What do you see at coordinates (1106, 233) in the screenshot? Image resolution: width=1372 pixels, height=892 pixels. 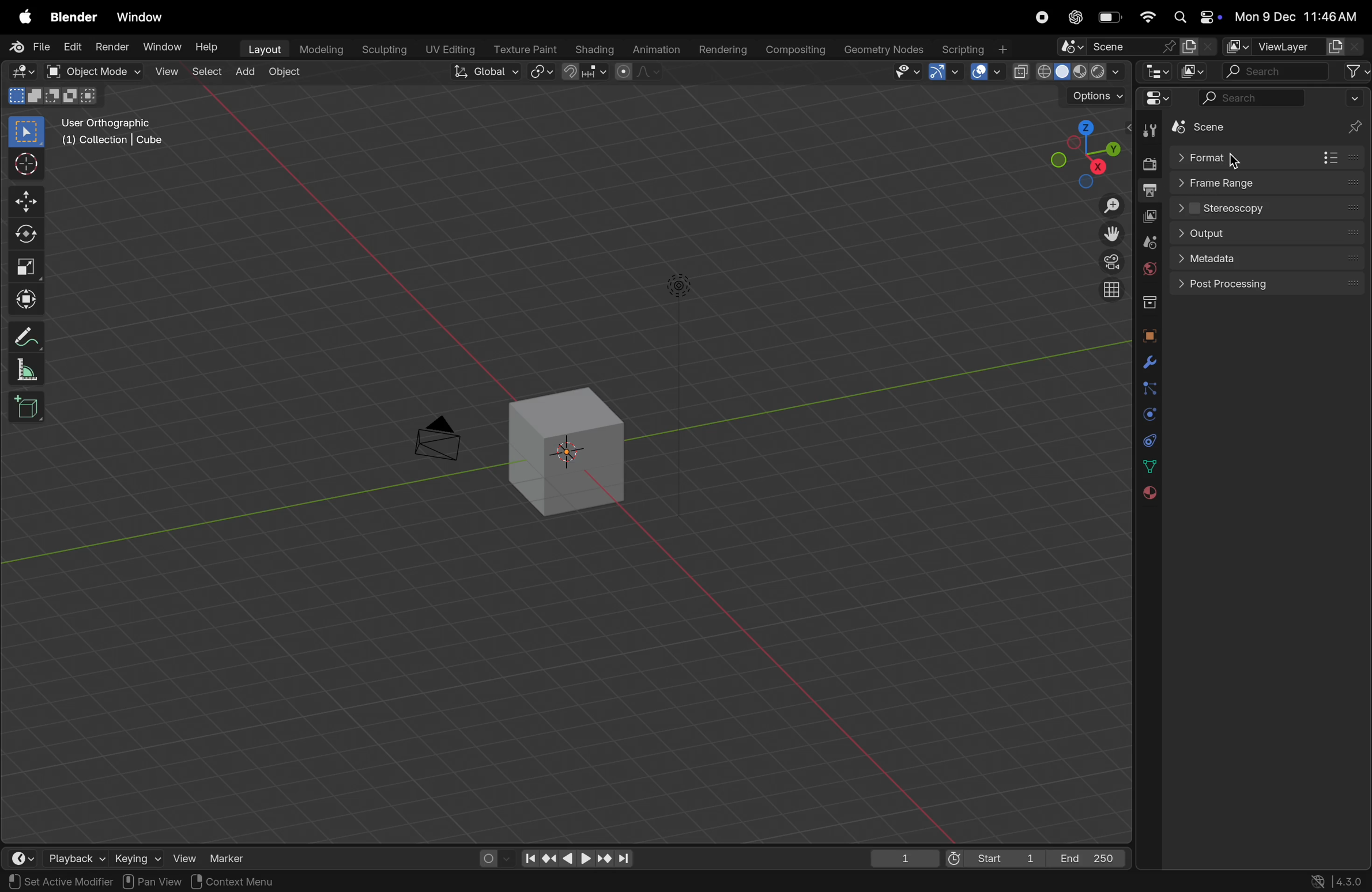 I see `move the view` at bounding box center [1106, 233].